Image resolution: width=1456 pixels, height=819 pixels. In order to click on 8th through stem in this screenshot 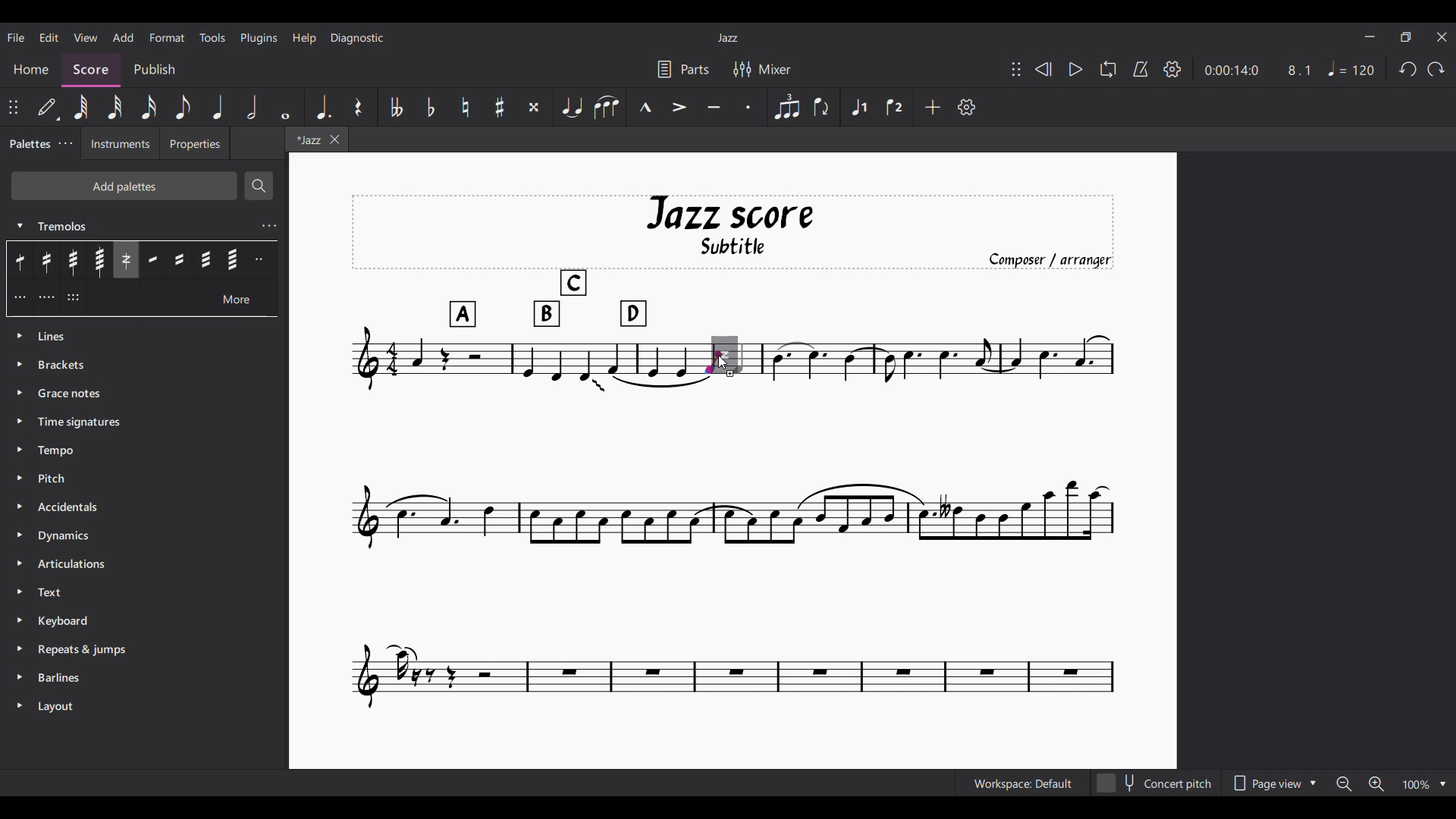, I will do `click(22, 259)`.